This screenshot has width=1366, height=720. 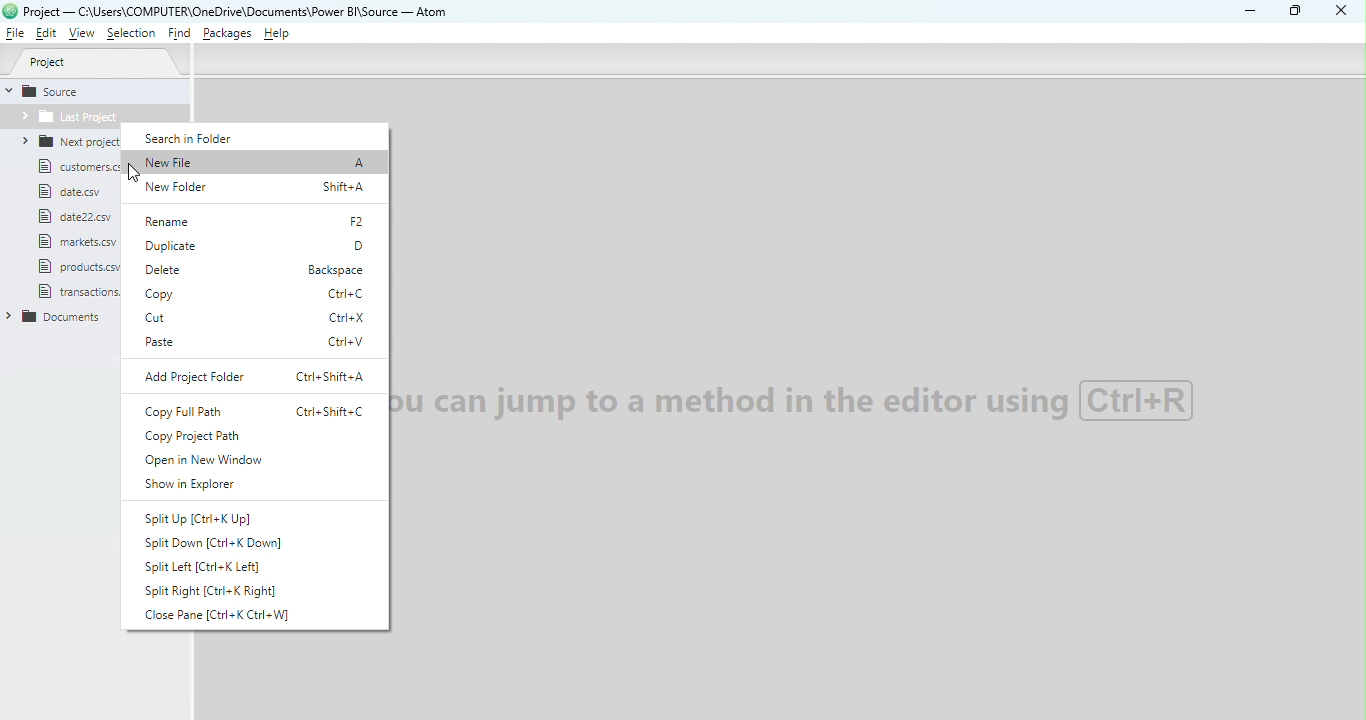 I want to click on Source, so click(x=59, y=92).